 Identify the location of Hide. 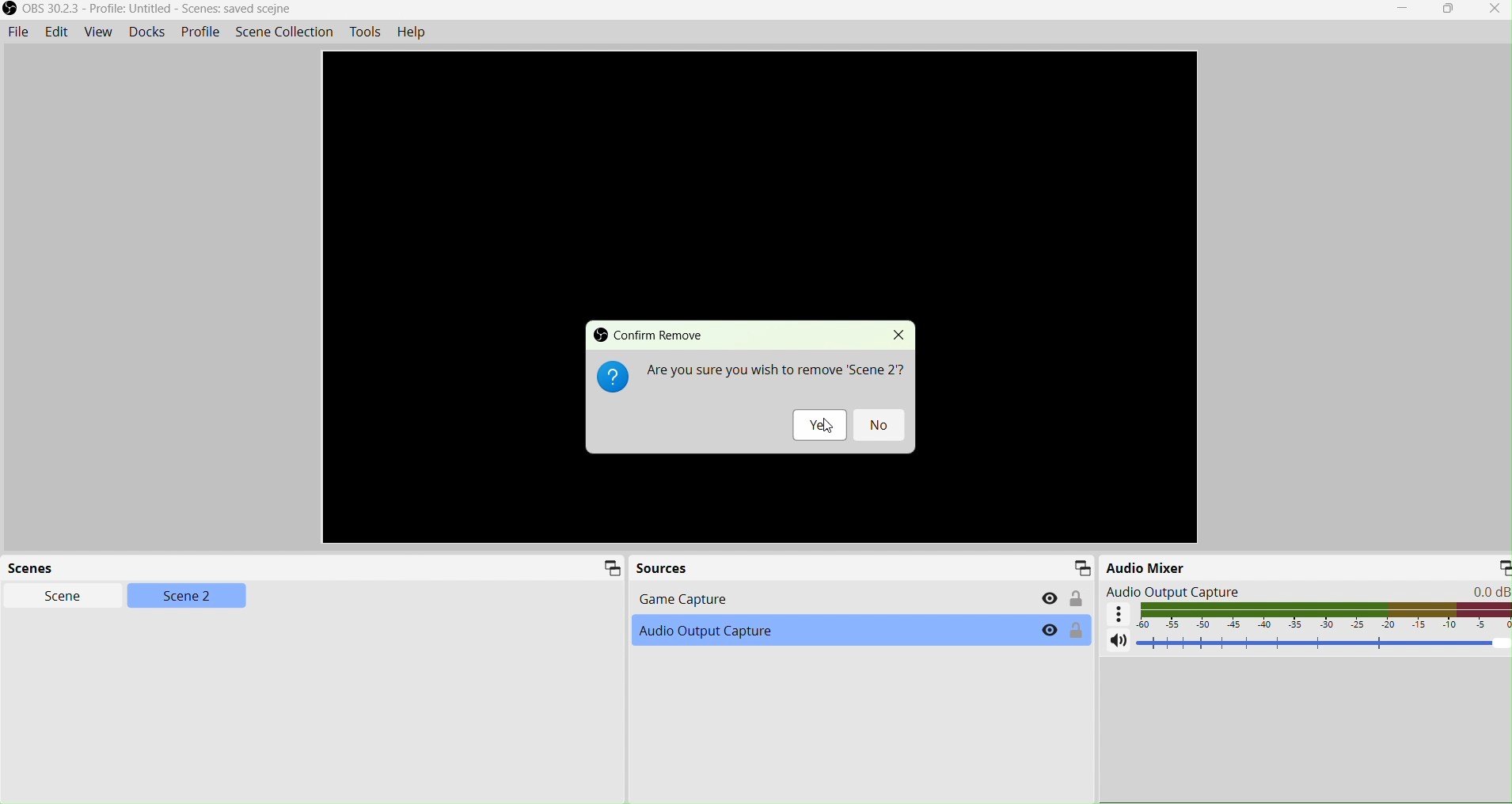
(1050, 597).